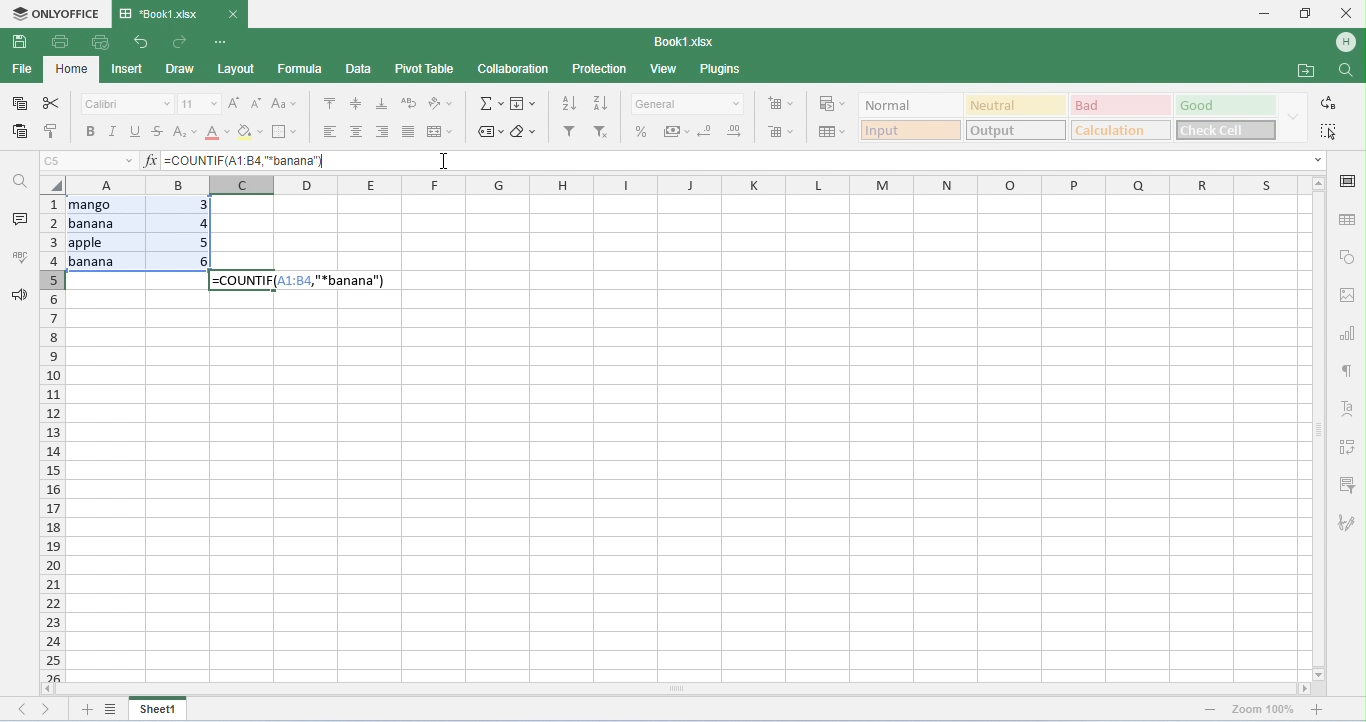  Describe the element at coordinates (705, 130) in the screenshot. I see `decrease decimal` at that location.